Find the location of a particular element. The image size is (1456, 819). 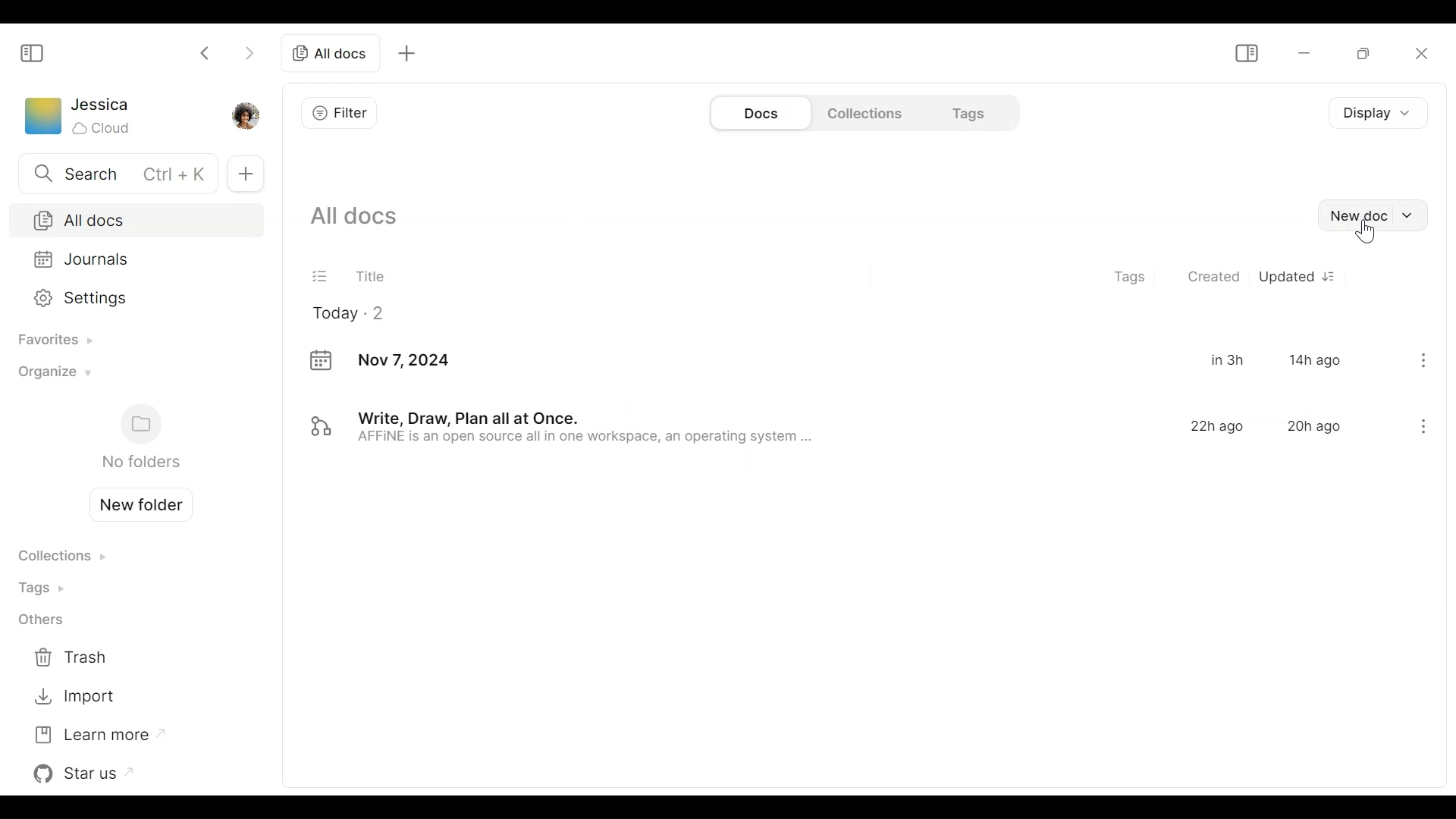

Close is located at coordinates (1419, 53).